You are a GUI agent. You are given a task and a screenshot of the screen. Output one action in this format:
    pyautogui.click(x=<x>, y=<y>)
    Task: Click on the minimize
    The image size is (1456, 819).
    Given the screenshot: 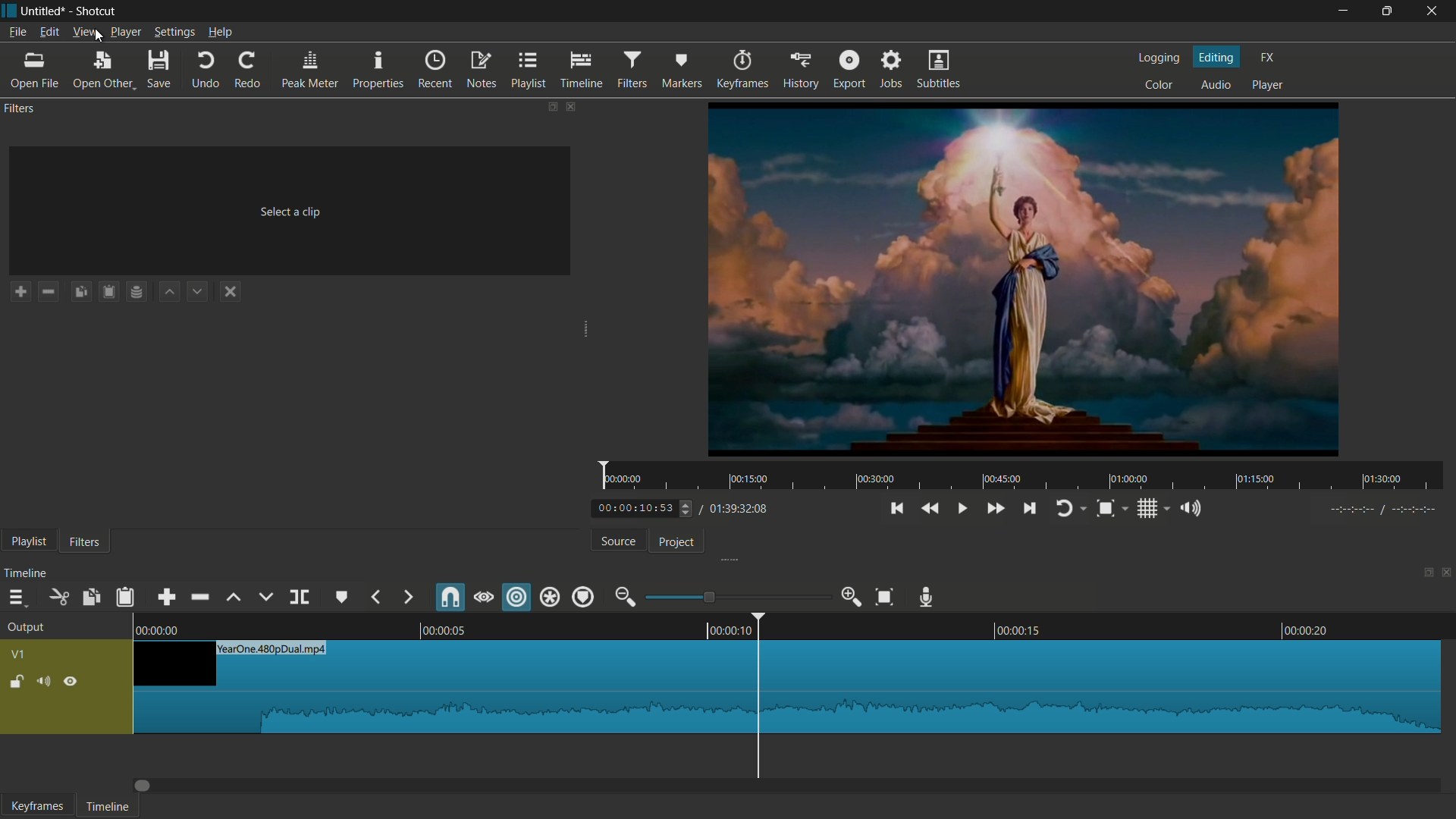 What is the action you would take?
    pyautogui.click(x=1346, y=11)
    